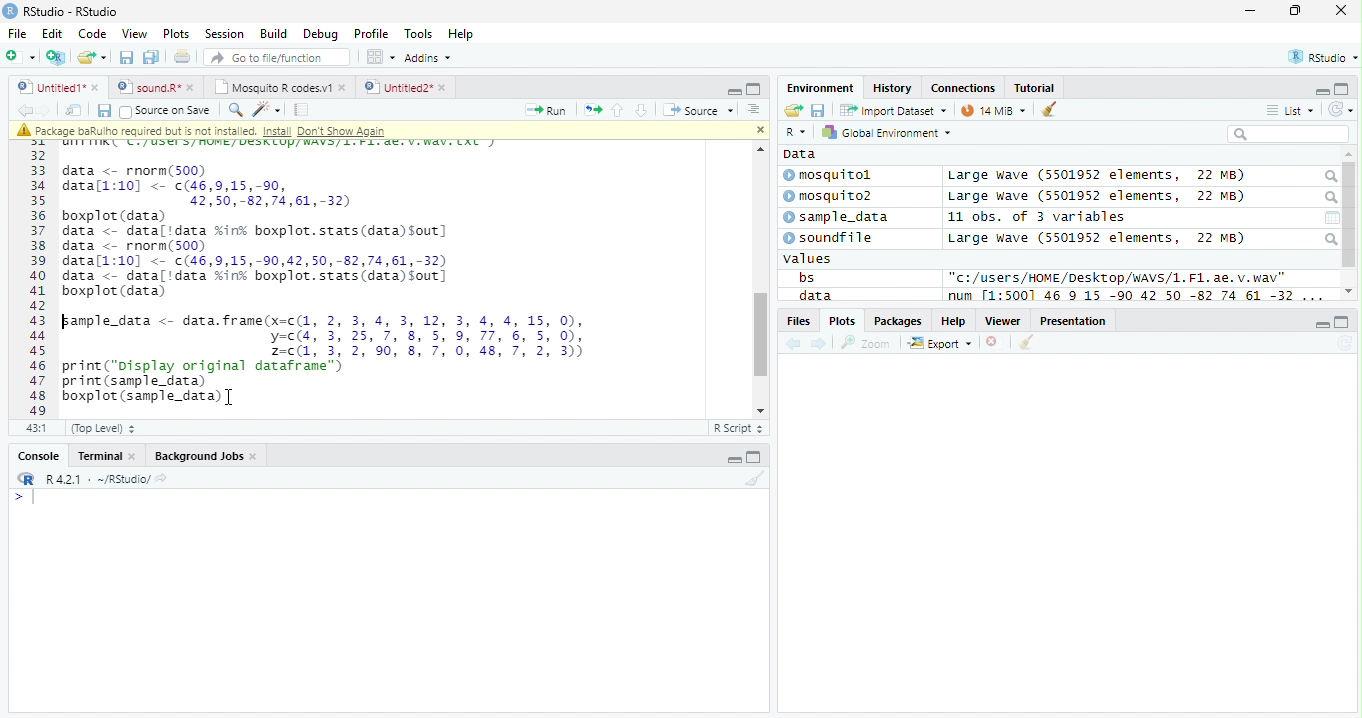  Describe the element at coordinates (103, 429) in the screenshot. I see `(Top Level)` at that location.